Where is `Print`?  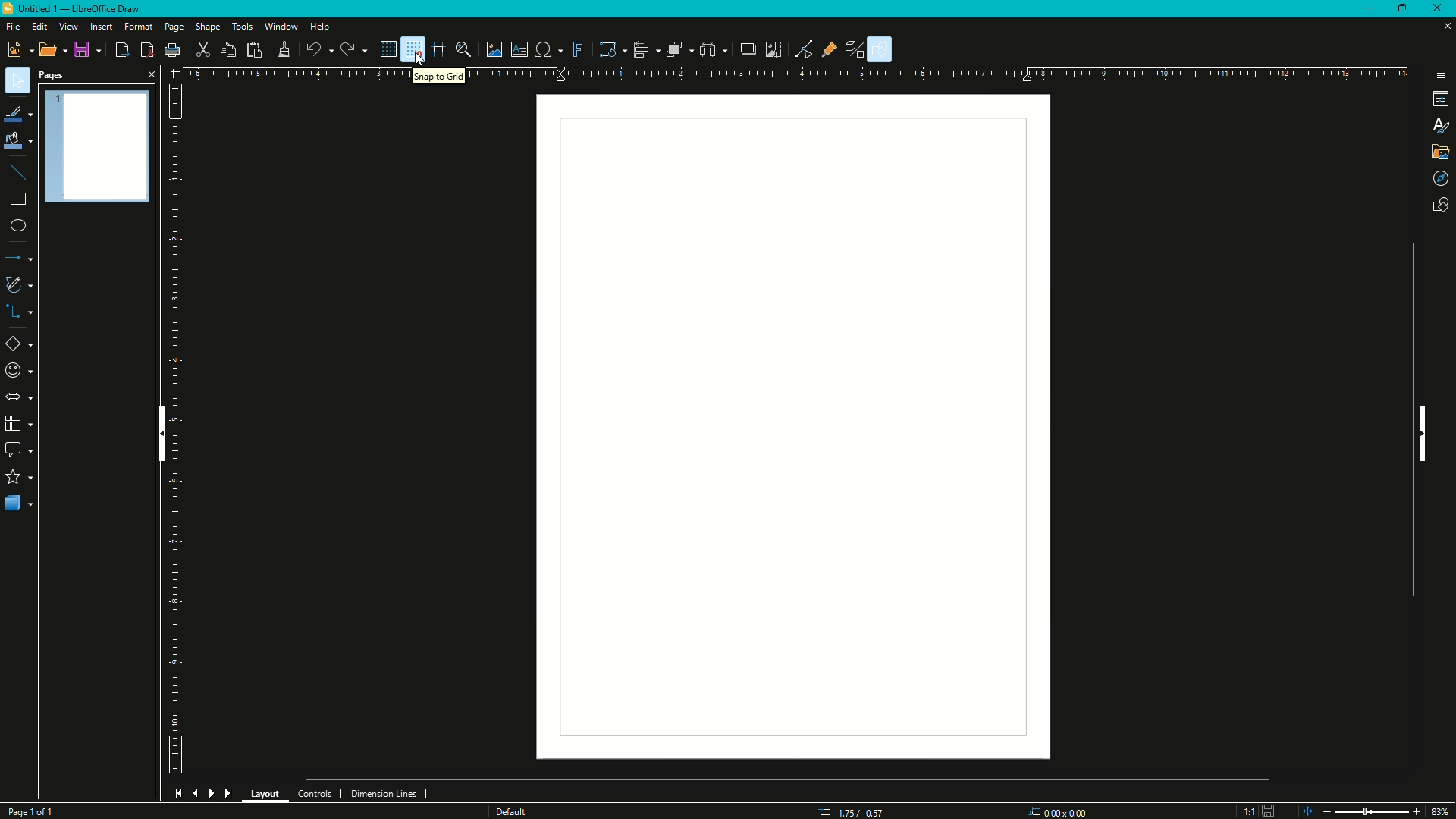
Print is located at coordinates (172, 50).